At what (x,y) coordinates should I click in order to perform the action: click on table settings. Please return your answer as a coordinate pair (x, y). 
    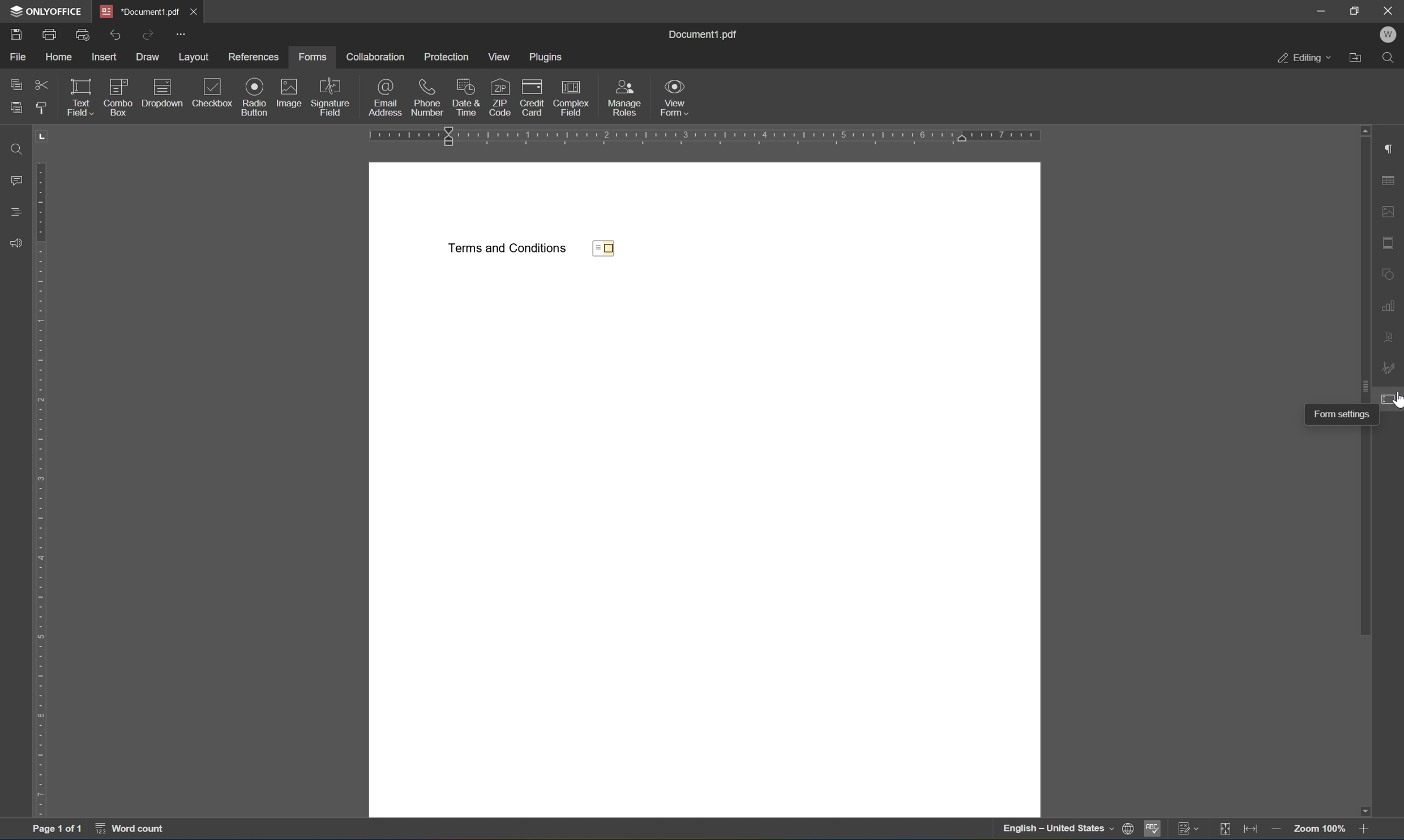
    Looking at the image, I should click on (1392, 180).